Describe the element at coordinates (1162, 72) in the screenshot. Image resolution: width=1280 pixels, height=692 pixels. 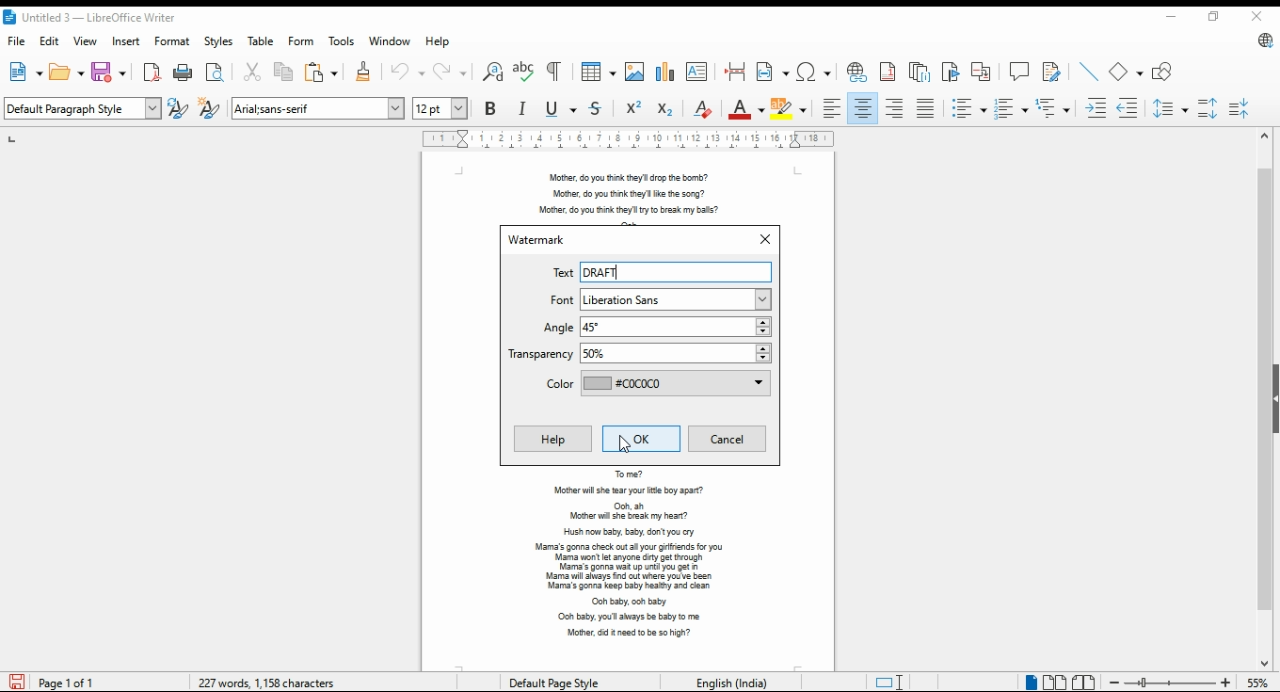
I see `show draw functions` at that location.